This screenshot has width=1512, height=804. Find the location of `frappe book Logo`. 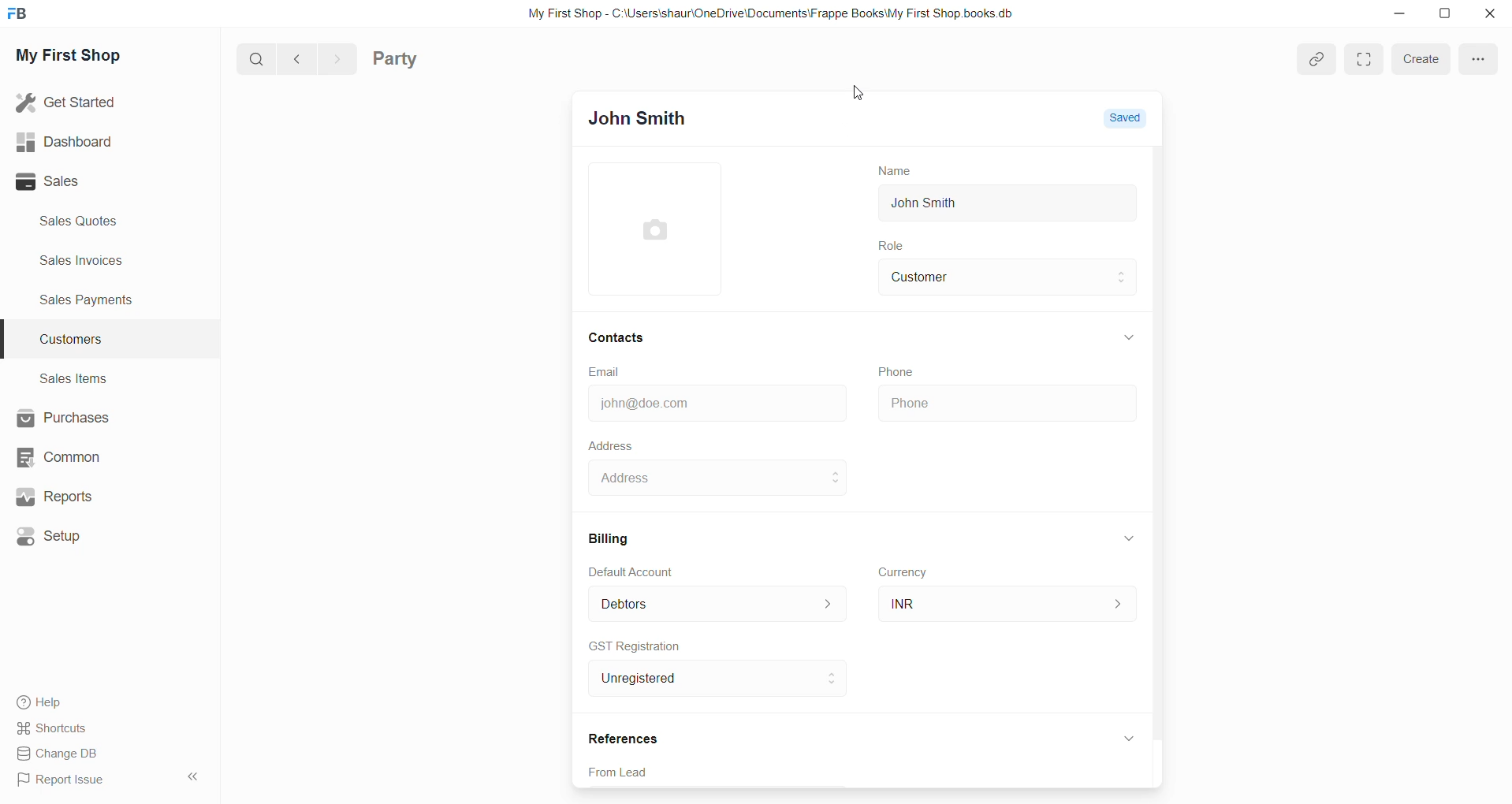

frappe book Logo is located at coordinates (21, 17).